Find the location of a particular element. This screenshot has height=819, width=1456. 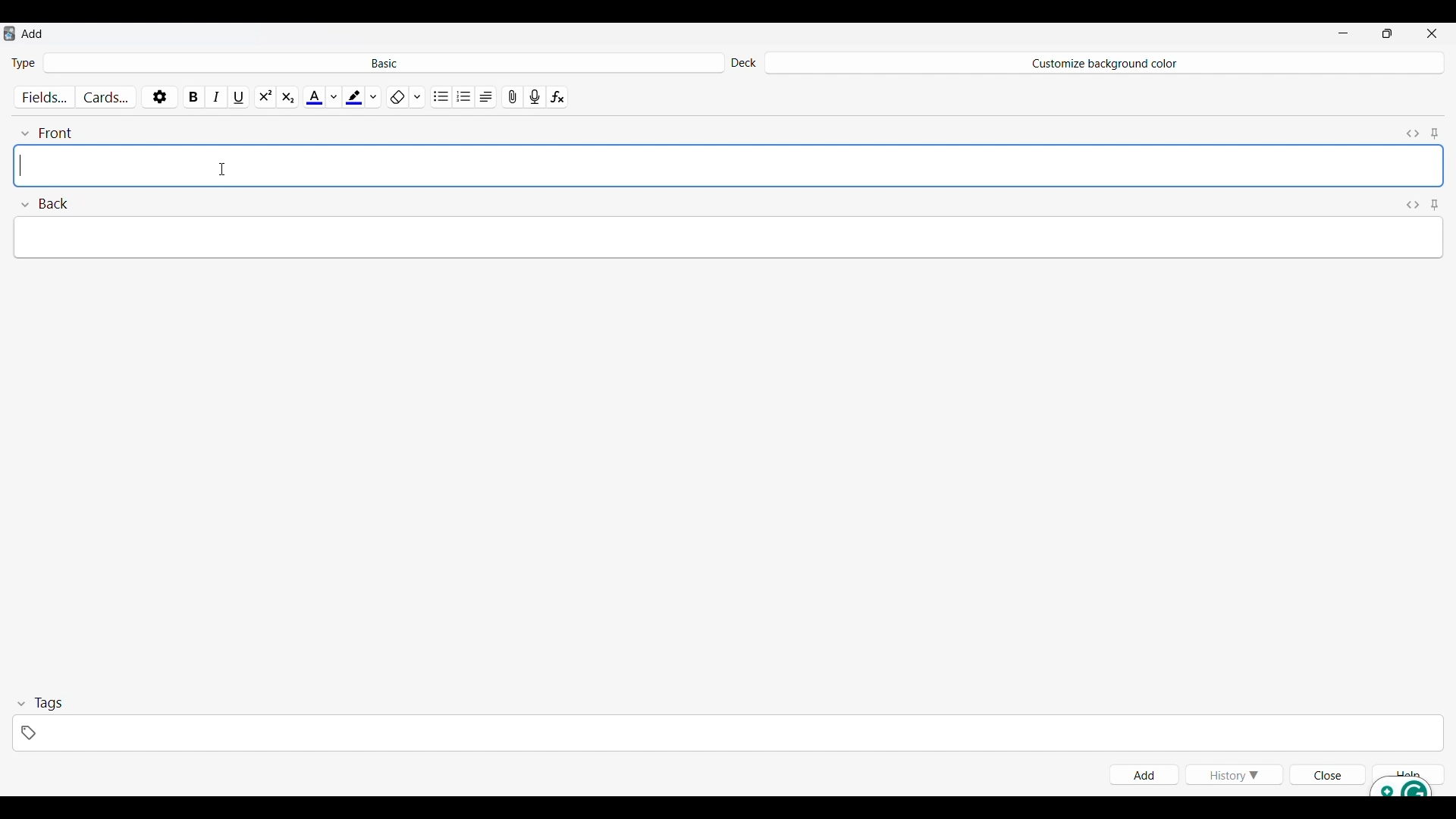

Collapse tags is located at coordinates (40, 704).